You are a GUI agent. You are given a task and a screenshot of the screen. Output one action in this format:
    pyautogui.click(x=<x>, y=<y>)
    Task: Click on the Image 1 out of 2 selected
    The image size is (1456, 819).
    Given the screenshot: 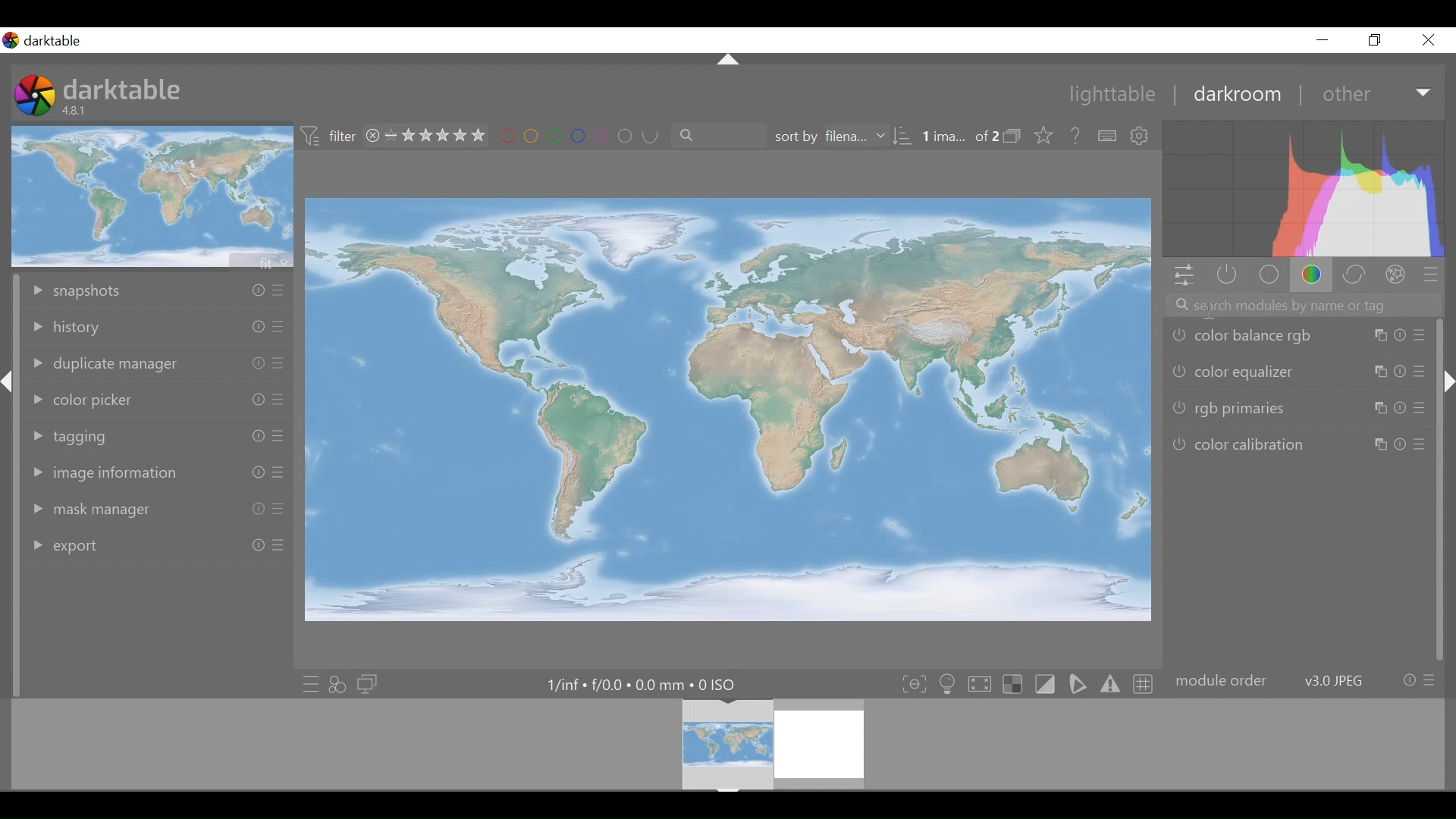 What is the action you would take?
    pyautogui.click(x=959, y=135)
    